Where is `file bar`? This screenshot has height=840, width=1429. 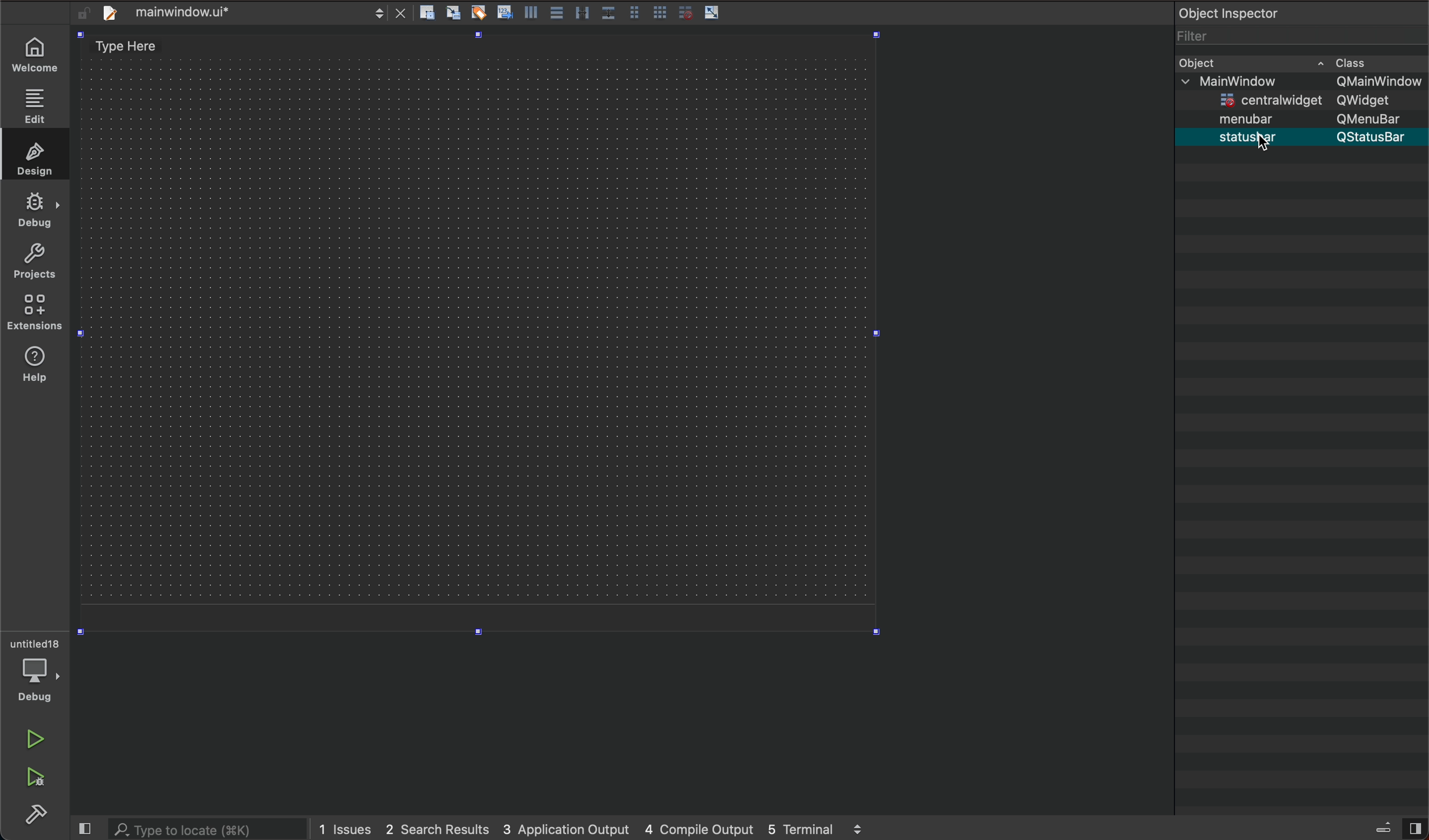
file bar is located at coordinates (193, 14).